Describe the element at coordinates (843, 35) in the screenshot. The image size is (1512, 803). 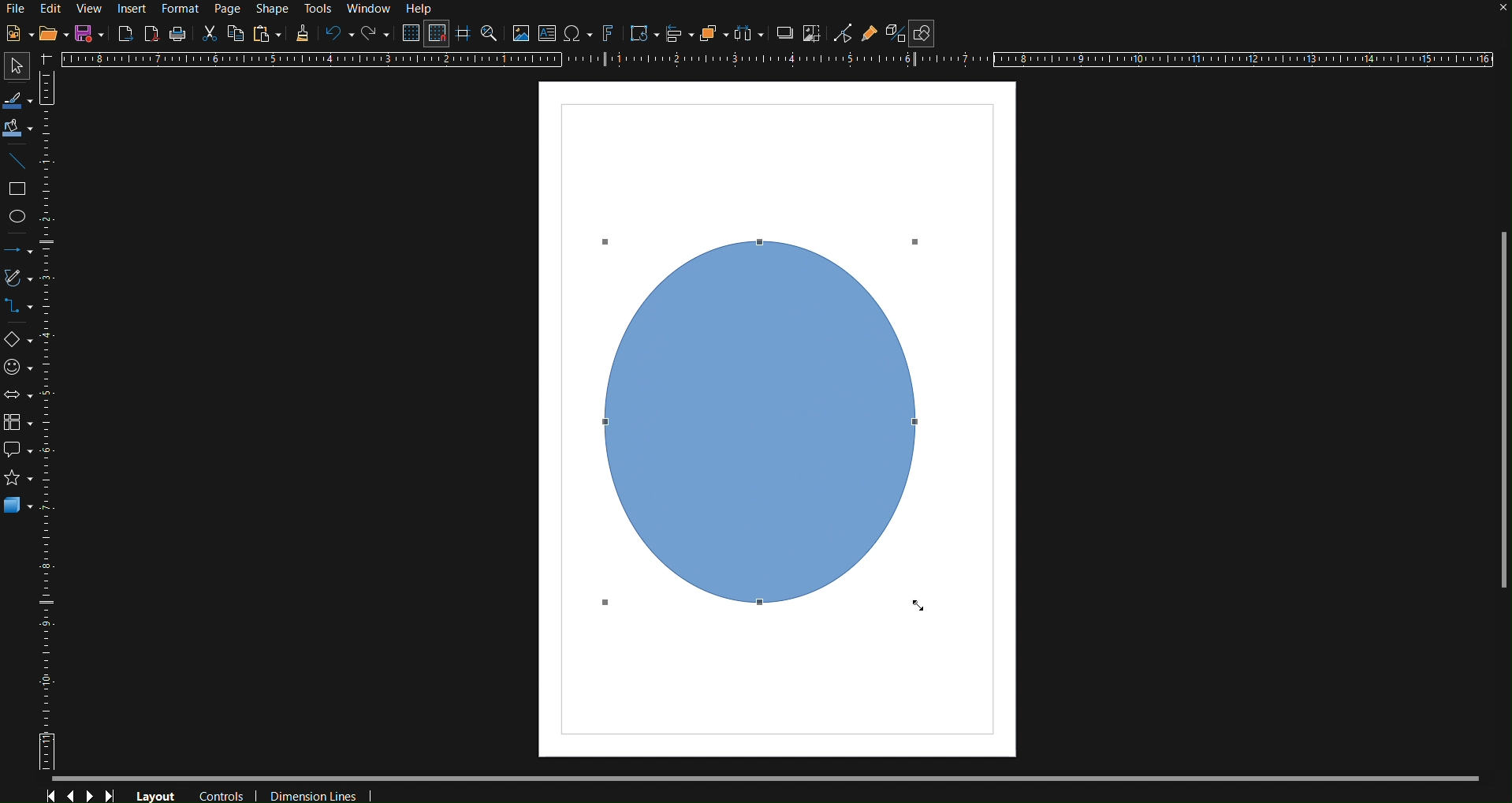
I see `Toggle Point Edit Mode` at that location.